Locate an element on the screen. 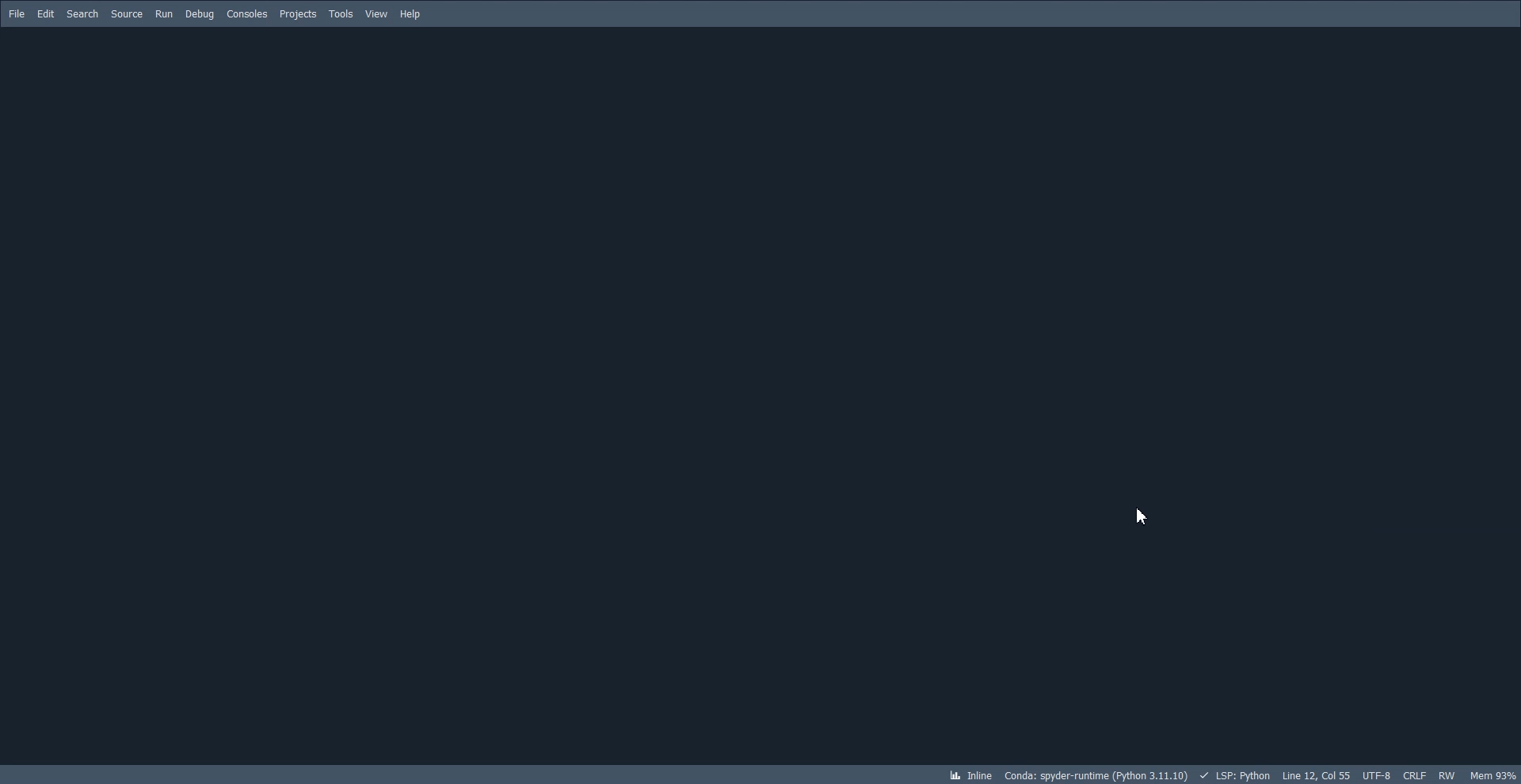 This screenshot has height=784, width=1521. Edit is located at coordinates (46, 14).